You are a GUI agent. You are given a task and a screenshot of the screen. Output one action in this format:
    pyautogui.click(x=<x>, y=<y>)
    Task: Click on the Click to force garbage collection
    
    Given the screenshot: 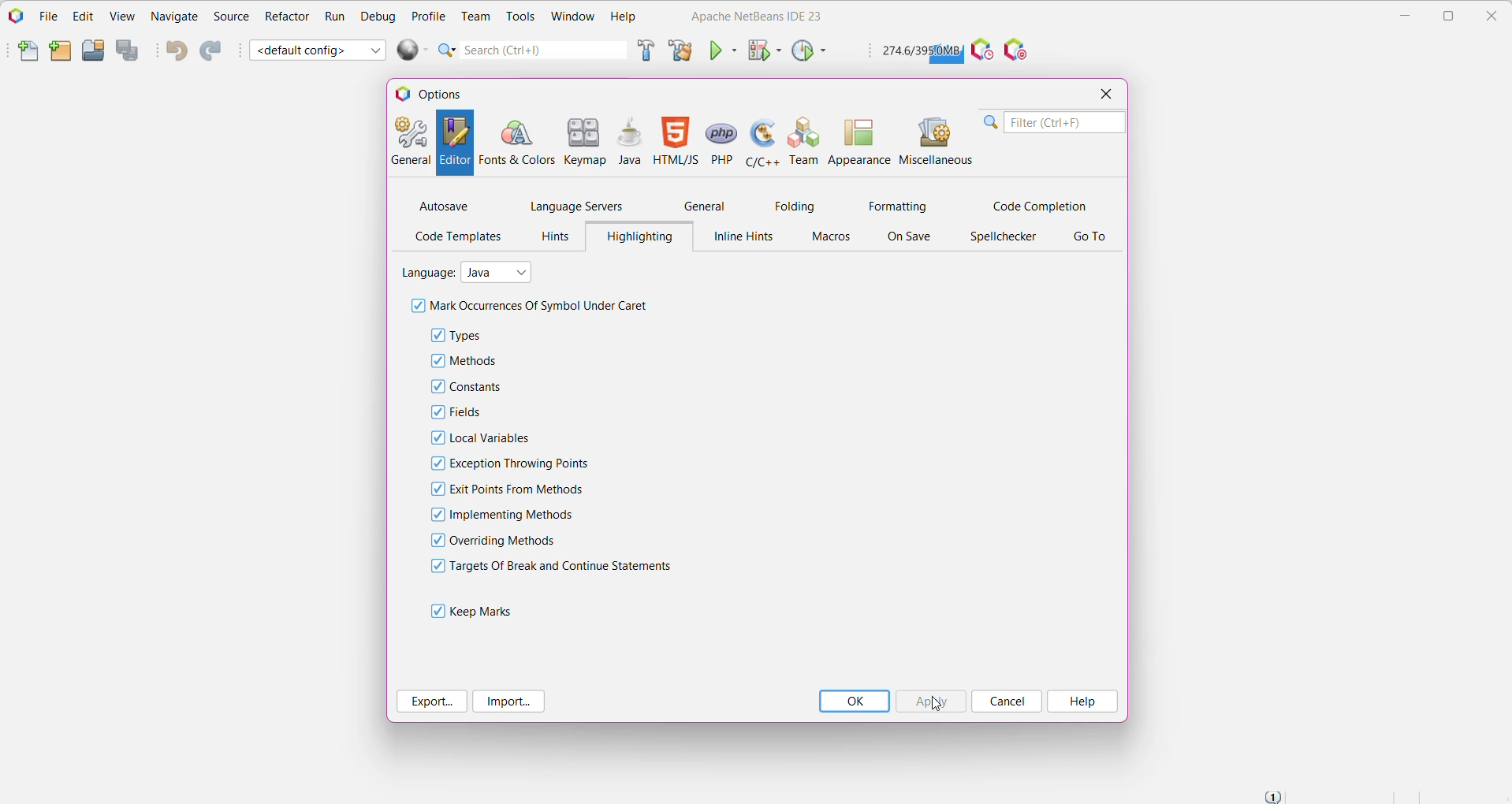 What is the action you would take?
    pyautogui.click(x=921, y=51)
    